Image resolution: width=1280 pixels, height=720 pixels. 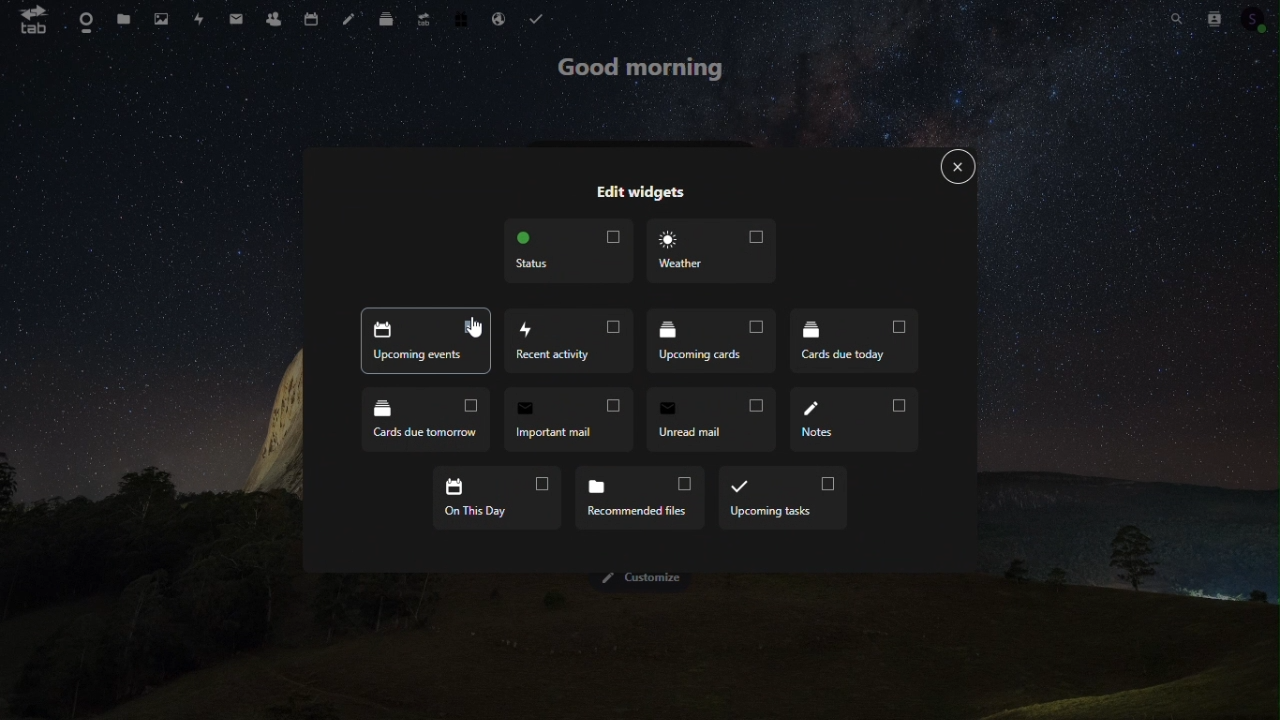 I want to click on Search, so click(x=1178, y=19).